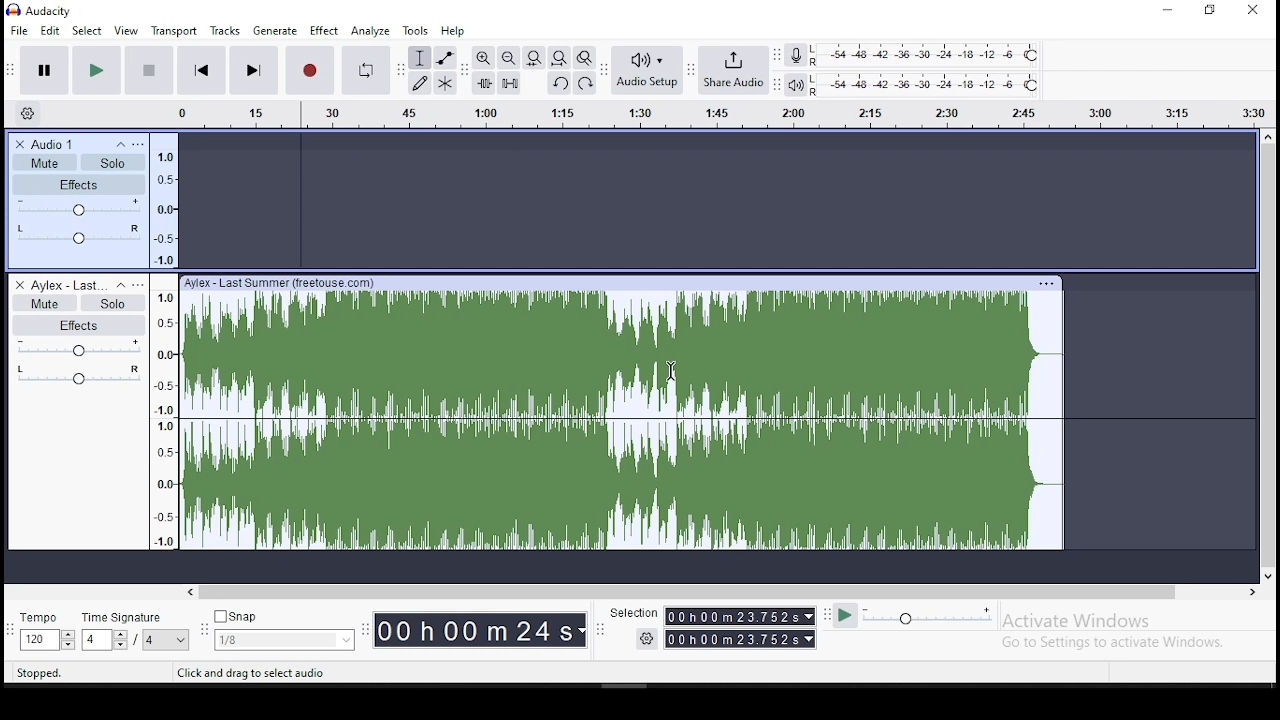 The image size is (1280, 720). I want to click on redo, so click(587, 84).